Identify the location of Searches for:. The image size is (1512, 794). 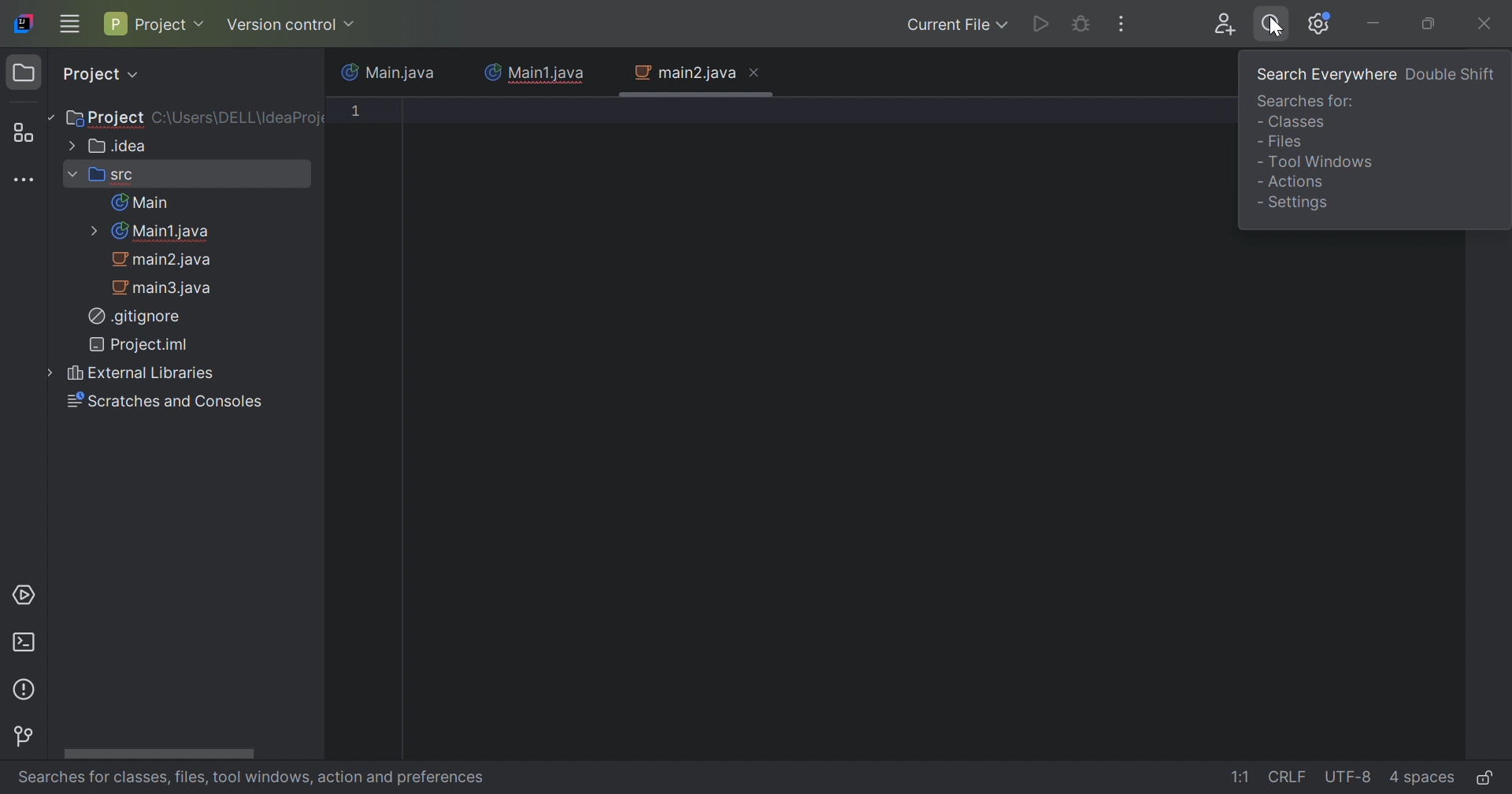
(1307, 101).